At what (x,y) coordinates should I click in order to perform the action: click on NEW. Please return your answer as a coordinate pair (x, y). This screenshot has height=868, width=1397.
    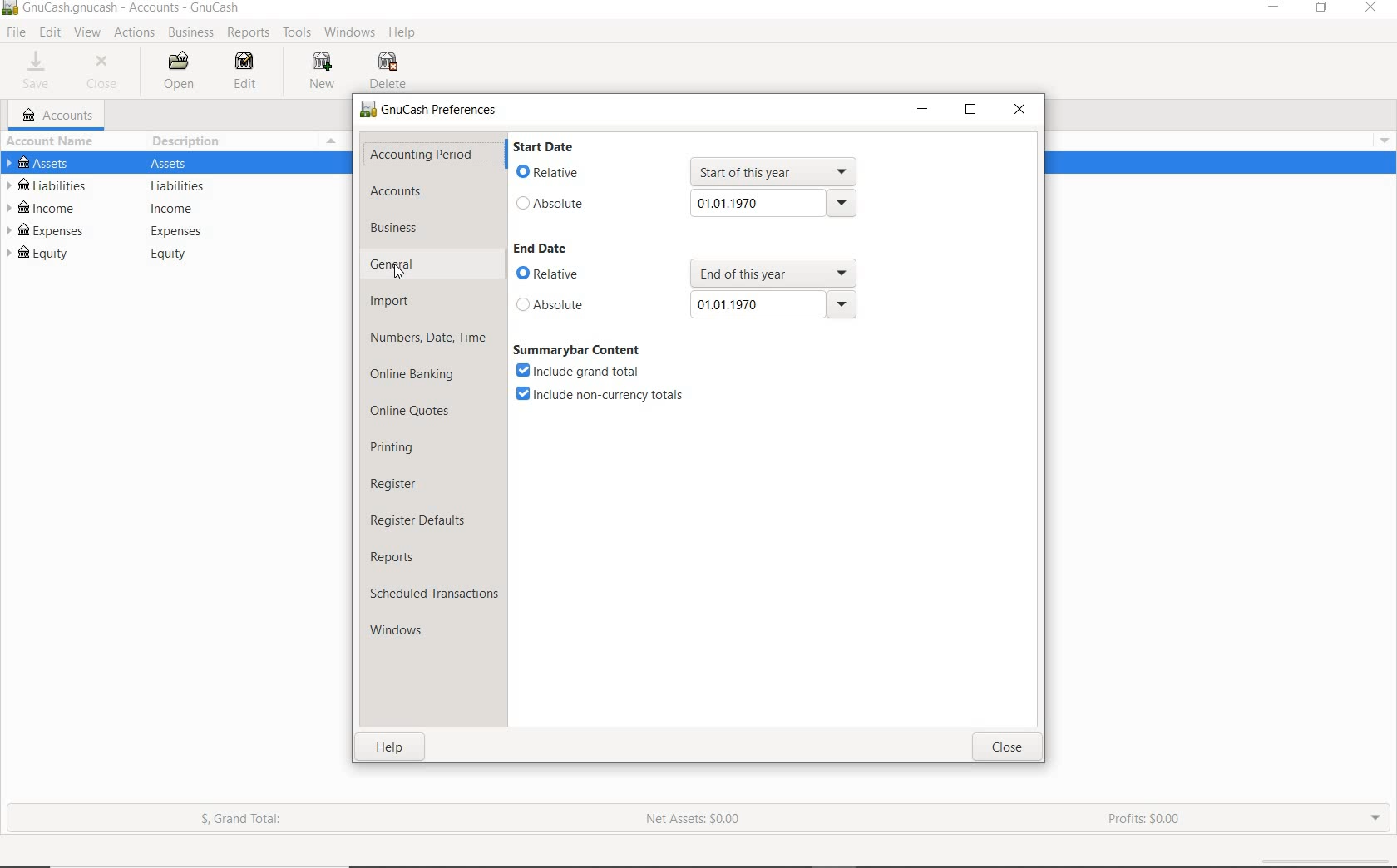
    Looking at the image, I should click on (326, 72).